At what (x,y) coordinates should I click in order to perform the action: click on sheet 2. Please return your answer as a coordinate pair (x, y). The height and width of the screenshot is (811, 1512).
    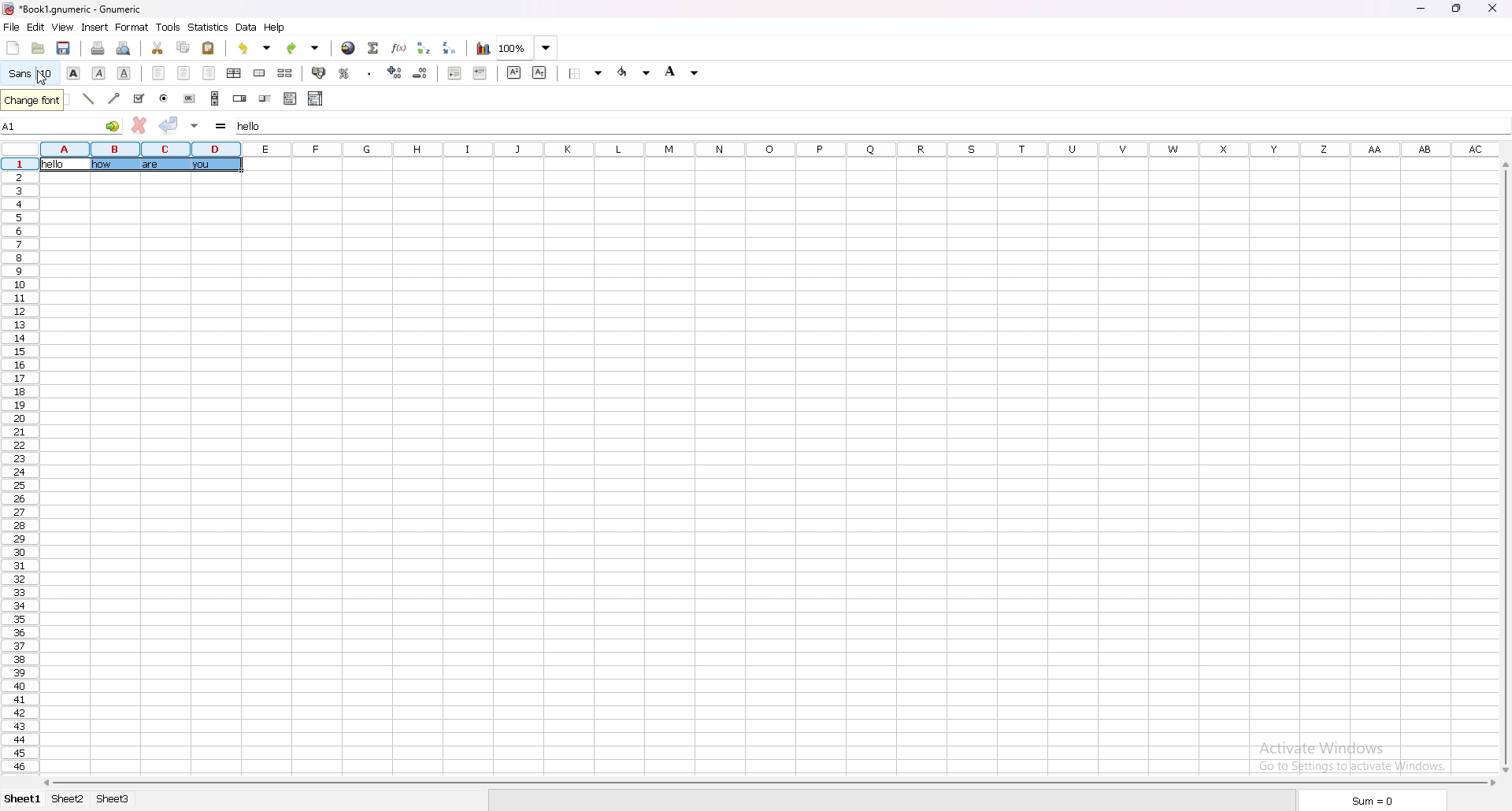
    Looking at the image, I should click on (69, 799).